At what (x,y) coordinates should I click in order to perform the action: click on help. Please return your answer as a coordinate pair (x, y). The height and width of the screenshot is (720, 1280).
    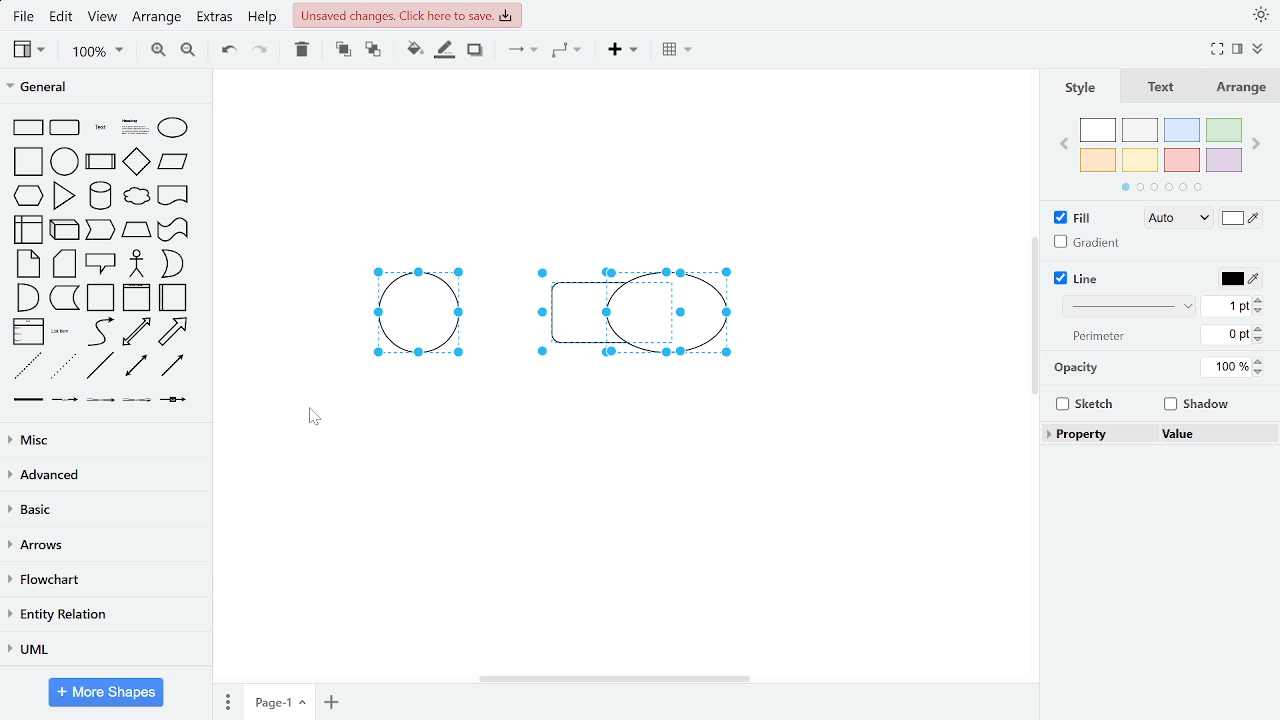
    Looking at the image, I should click on (264, 19).